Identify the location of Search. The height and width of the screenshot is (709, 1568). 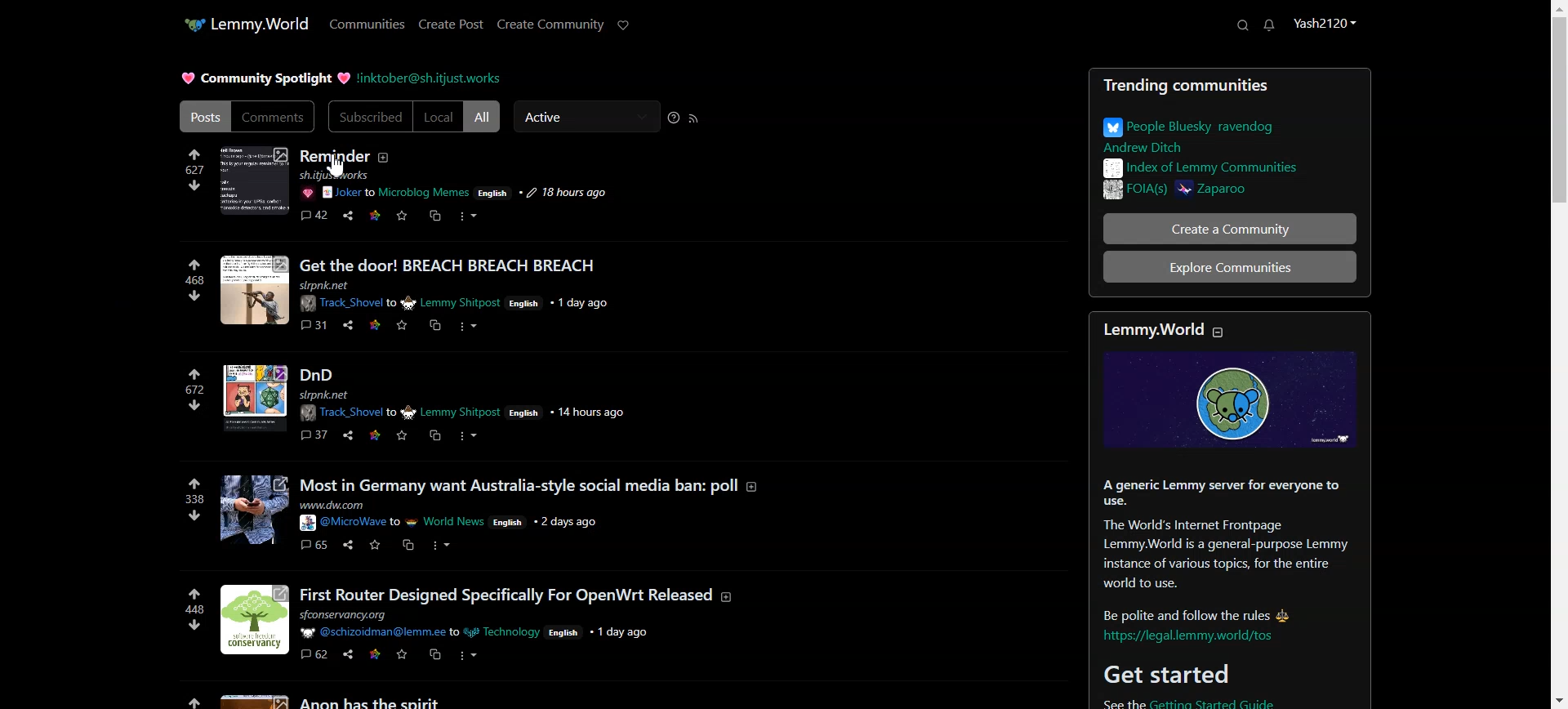
(1242, 25).